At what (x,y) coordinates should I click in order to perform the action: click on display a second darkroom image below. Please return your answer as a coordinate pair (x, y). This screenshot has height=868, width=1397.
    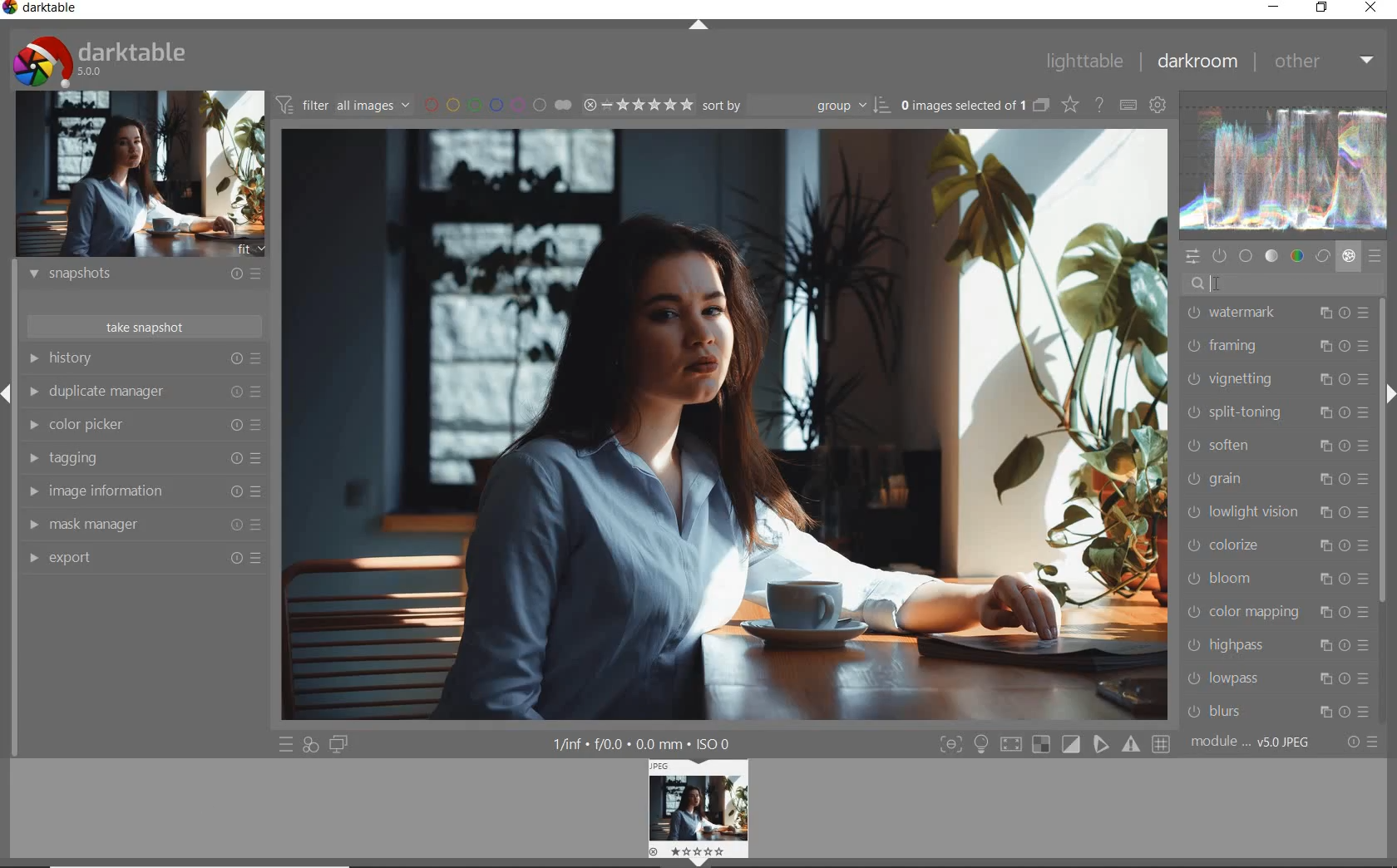
    Looking at the image, I should click on (339, 745).